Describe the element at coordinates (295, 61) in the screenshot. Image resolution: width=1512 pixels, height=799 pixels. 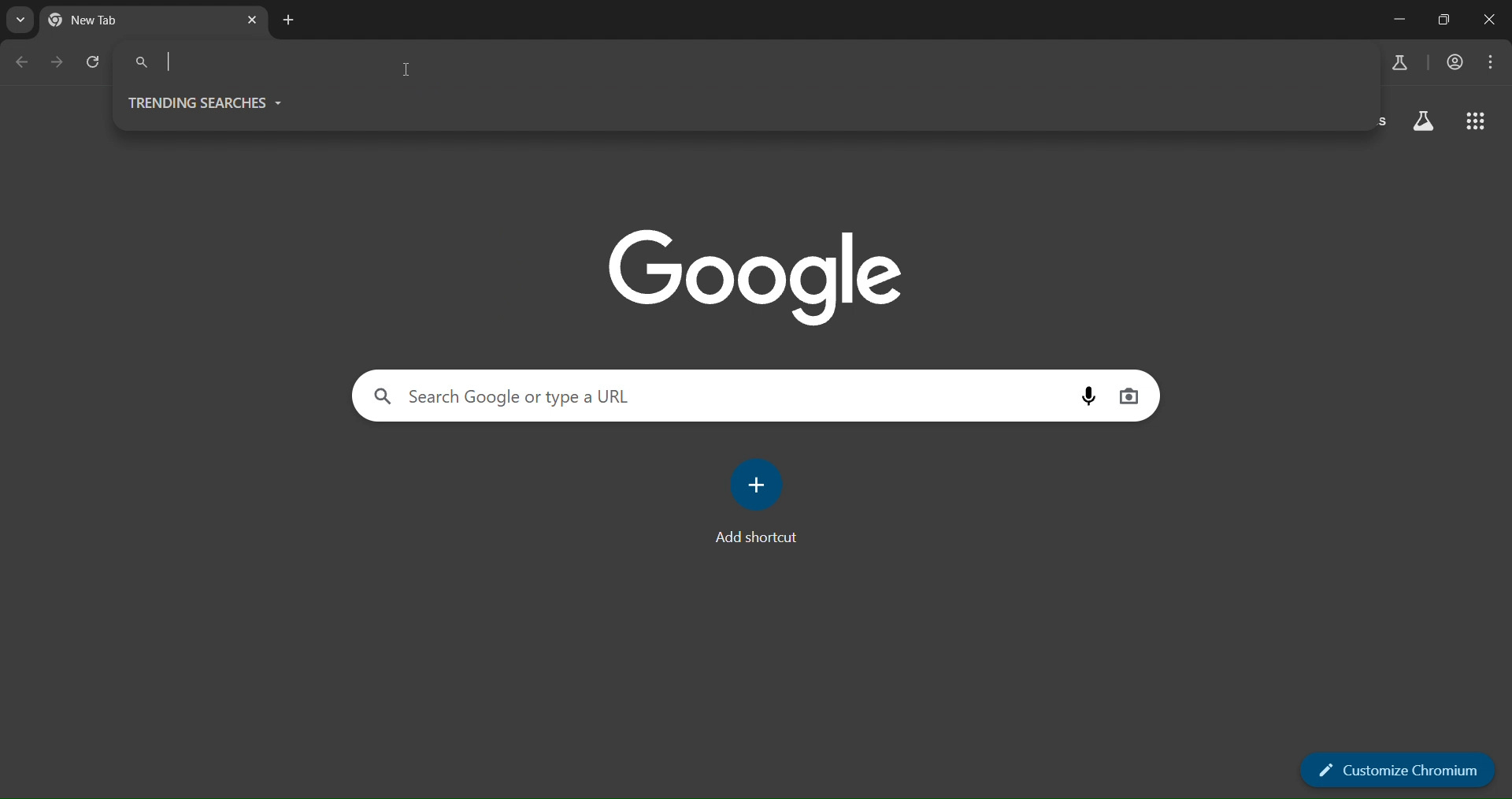
I see `search panel` at that location.